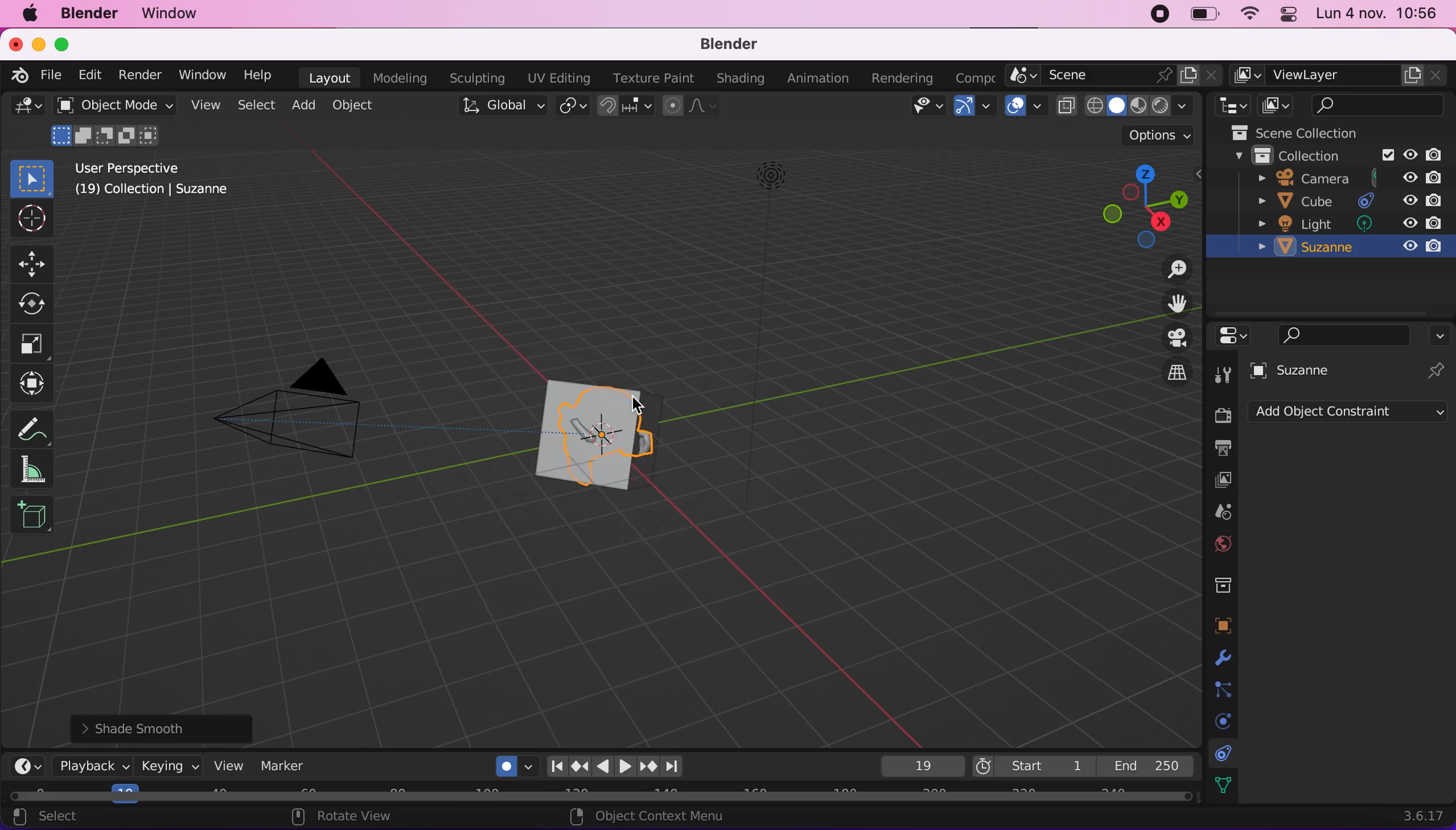 The image size is (1456, 830). I want to click on object mode, so click(116, 106).